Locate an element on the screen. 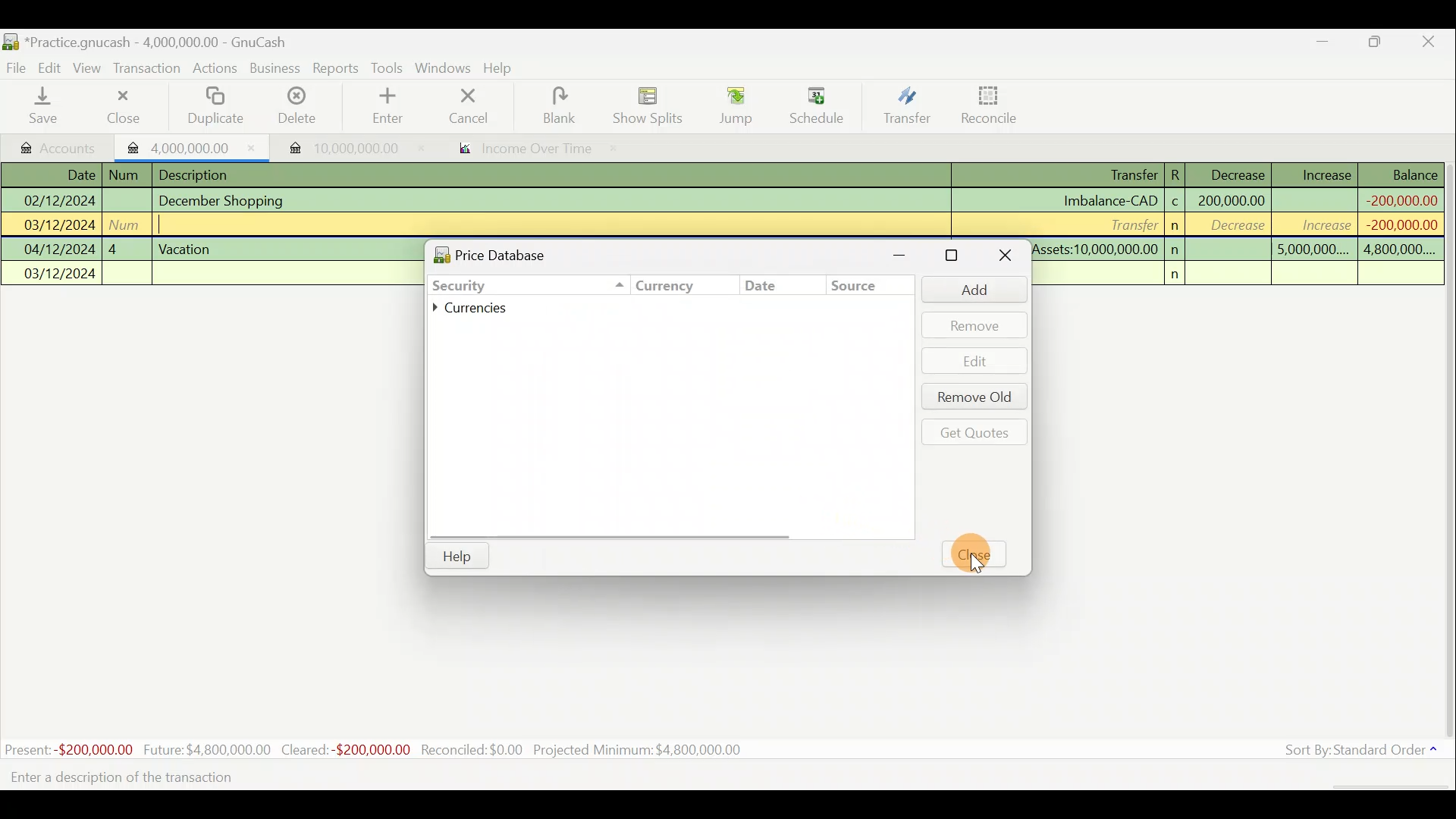  Transaction is located at coordinates (151, 70).